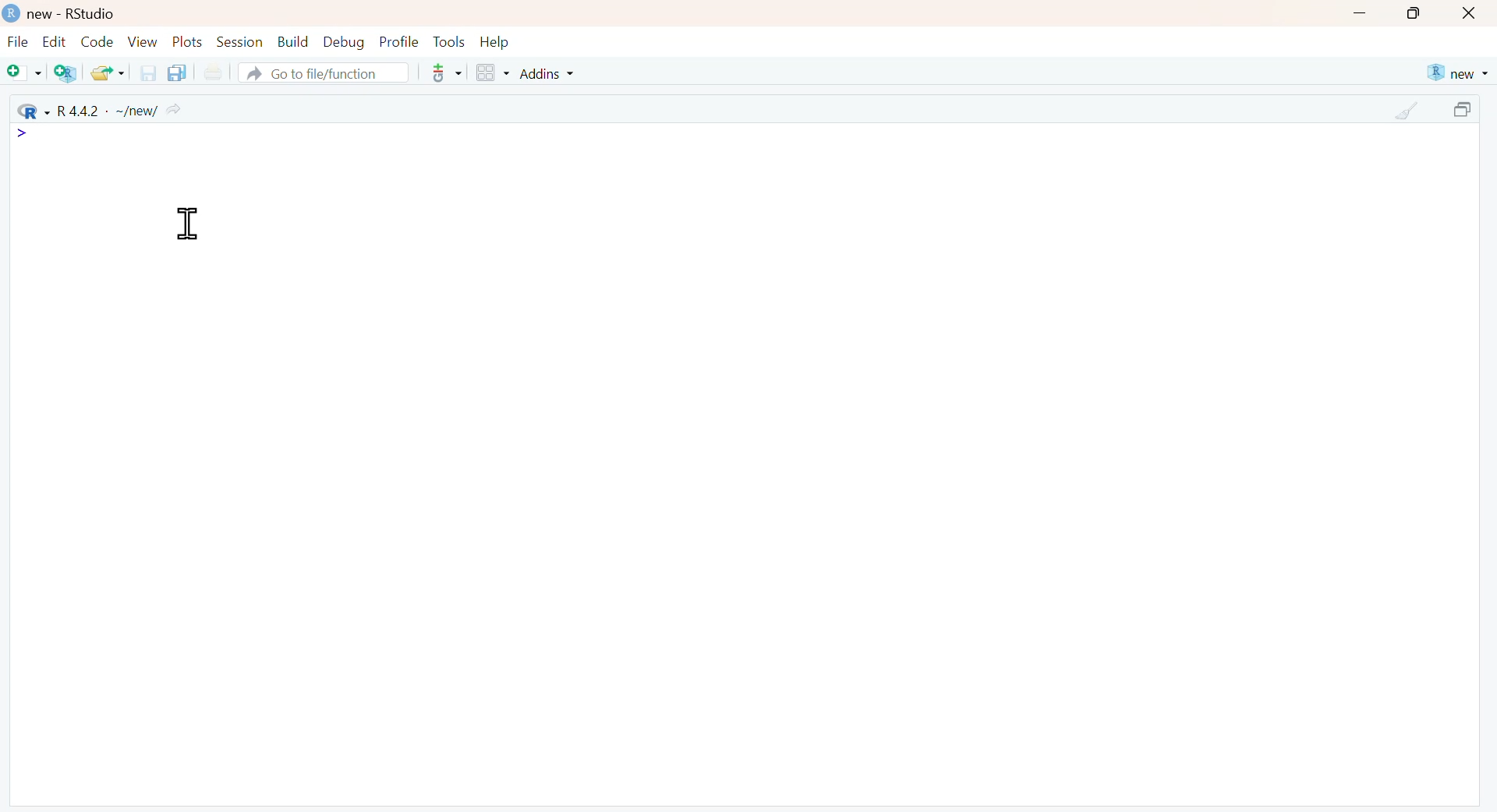 The width and height of the screenshot is (1497, 812). Describe the element at coordinates (491, 73) in the screenshot. I see `Workspace panes` at that location.